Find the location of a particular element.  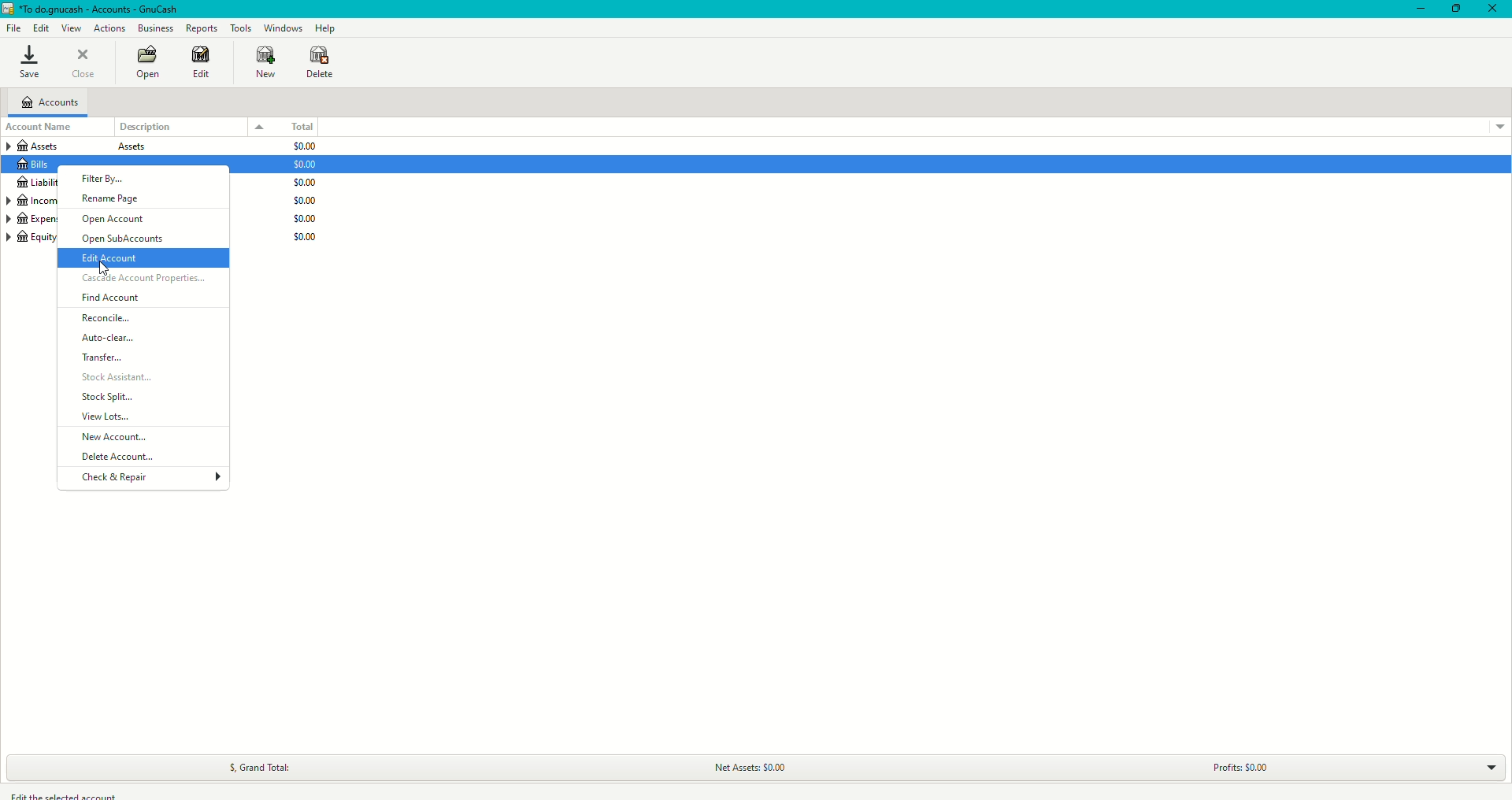

New Account is located at coordinates (120, 437).